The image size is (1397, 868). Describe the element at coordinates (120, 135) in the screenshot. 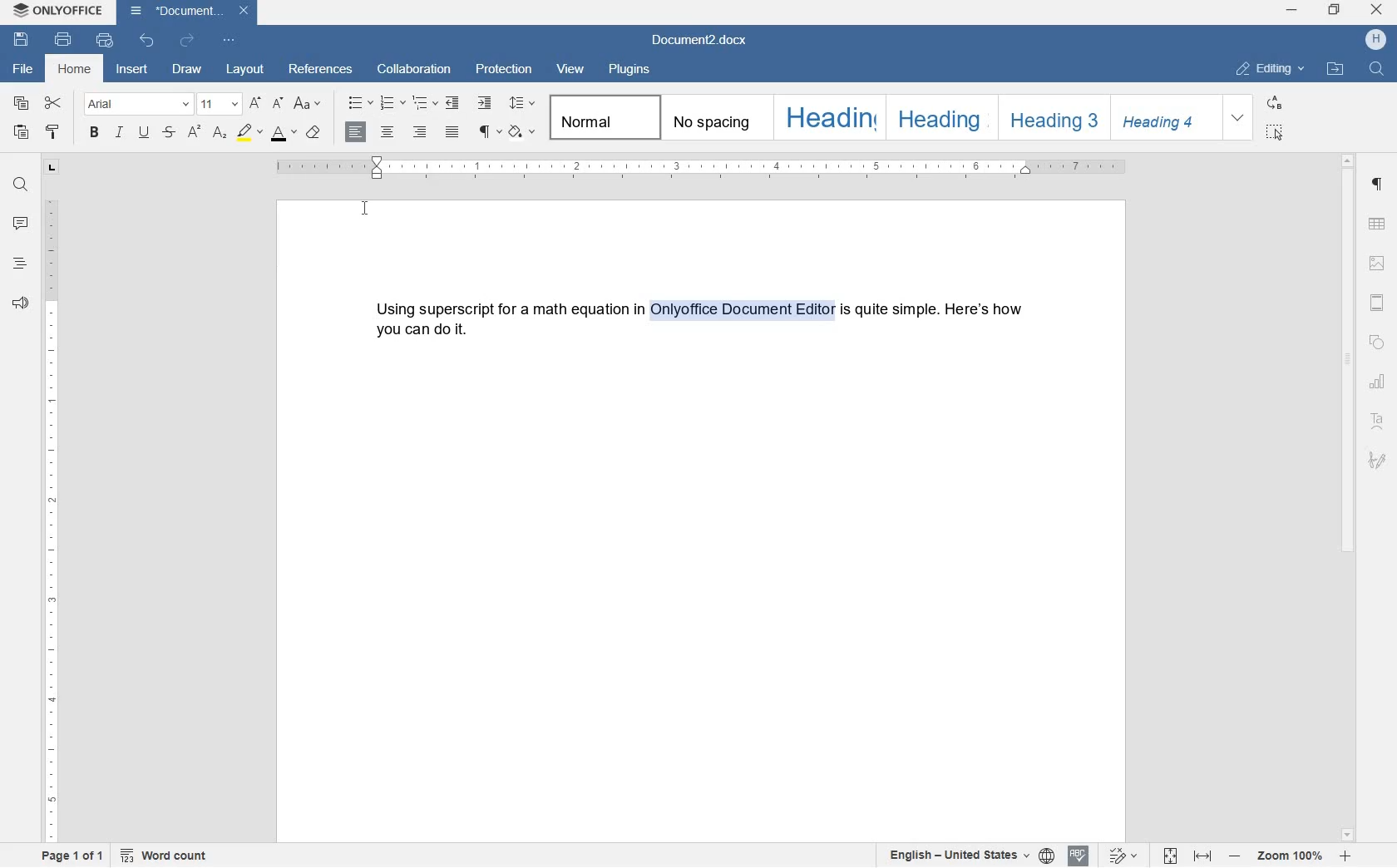

I see `italic` at that location.